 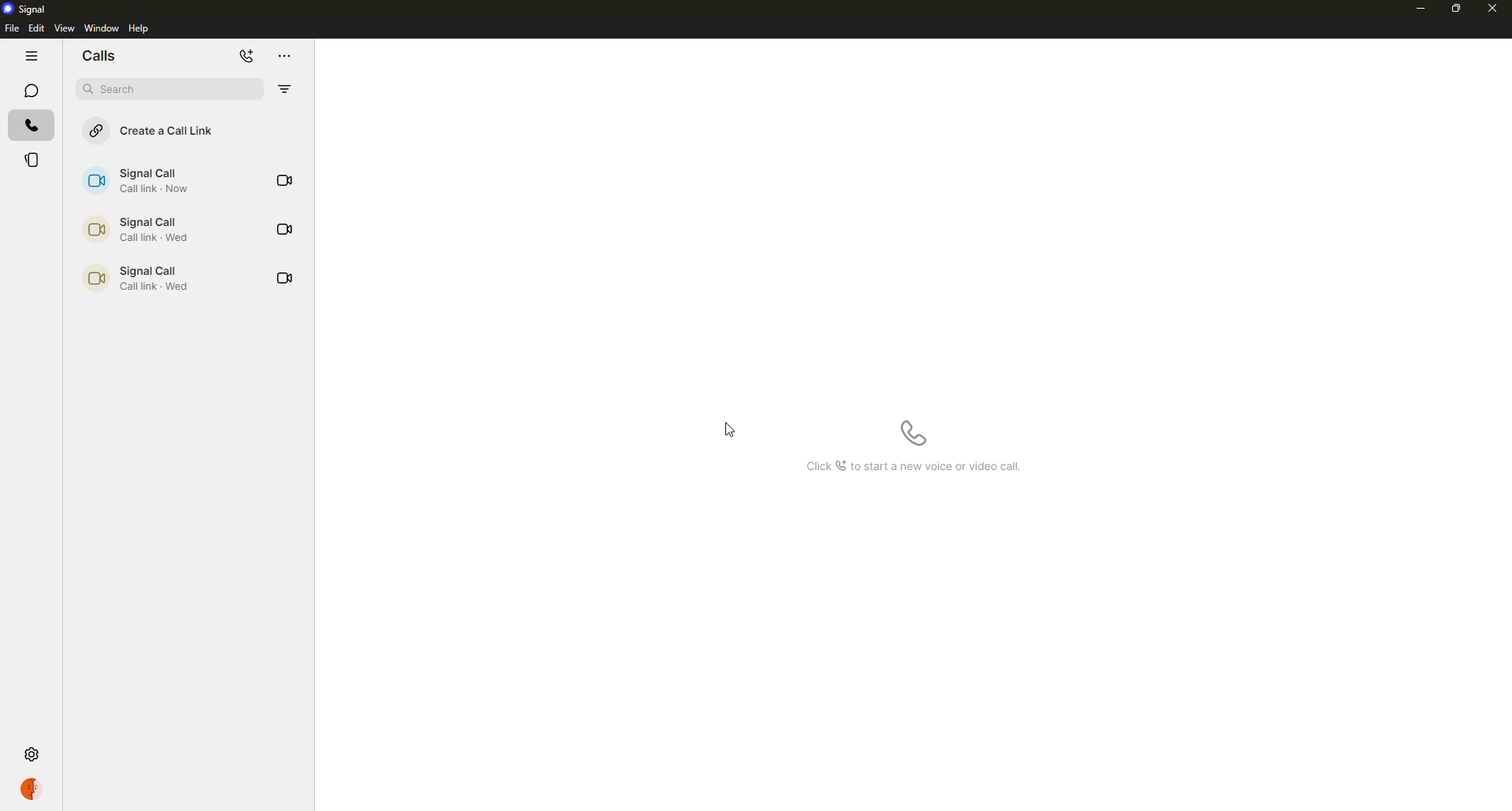 I want to click on filter by missed, so click(x=284, y=89).